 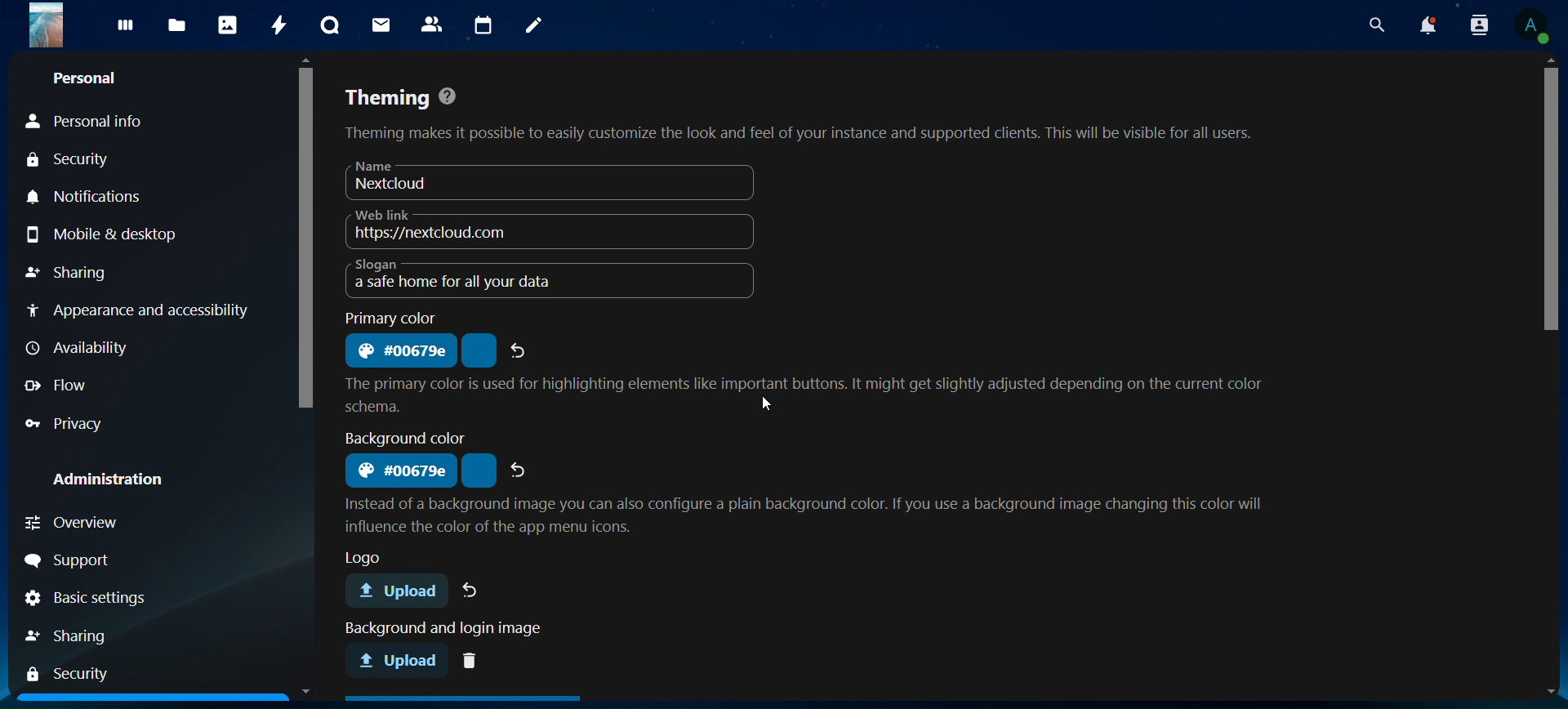 What do you see at coordinates (443, 627) in the screenshot?
I see `text` at bounding box center [443, 627].